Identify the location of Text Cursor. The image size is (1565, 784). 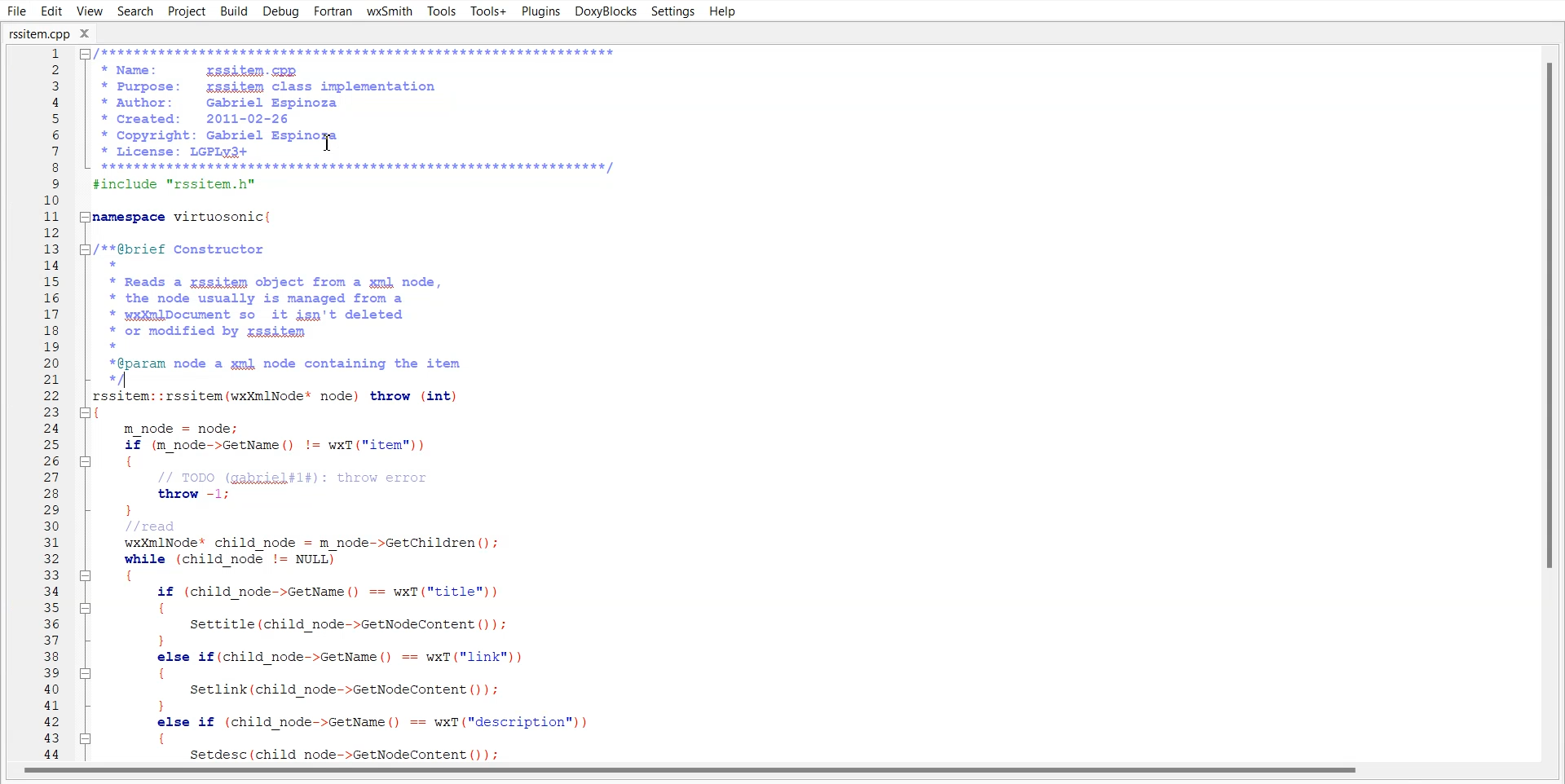
(329, 143).